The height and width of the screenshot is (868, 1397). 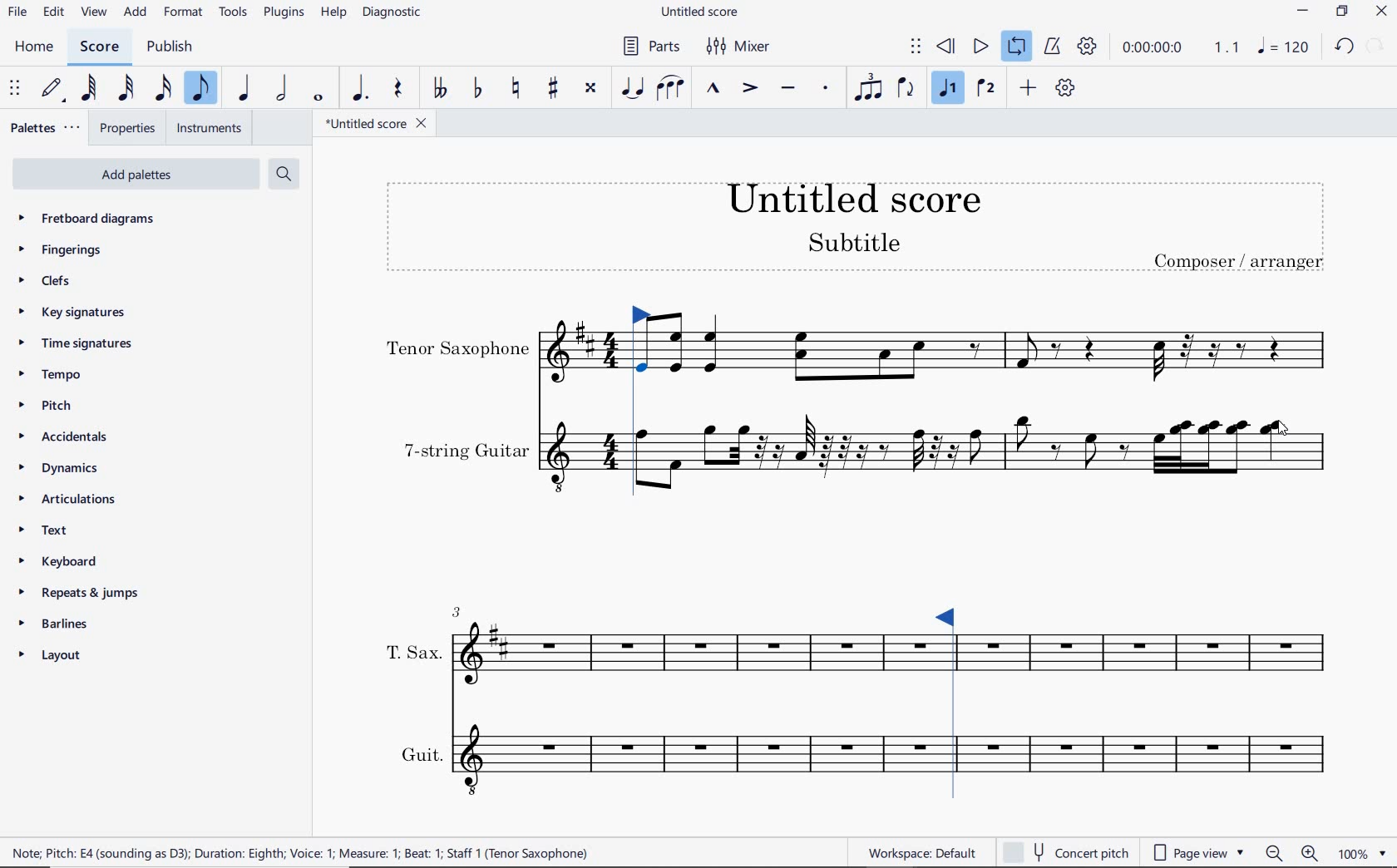 I want to click on concert pitch, so click(x=1066, y=850).